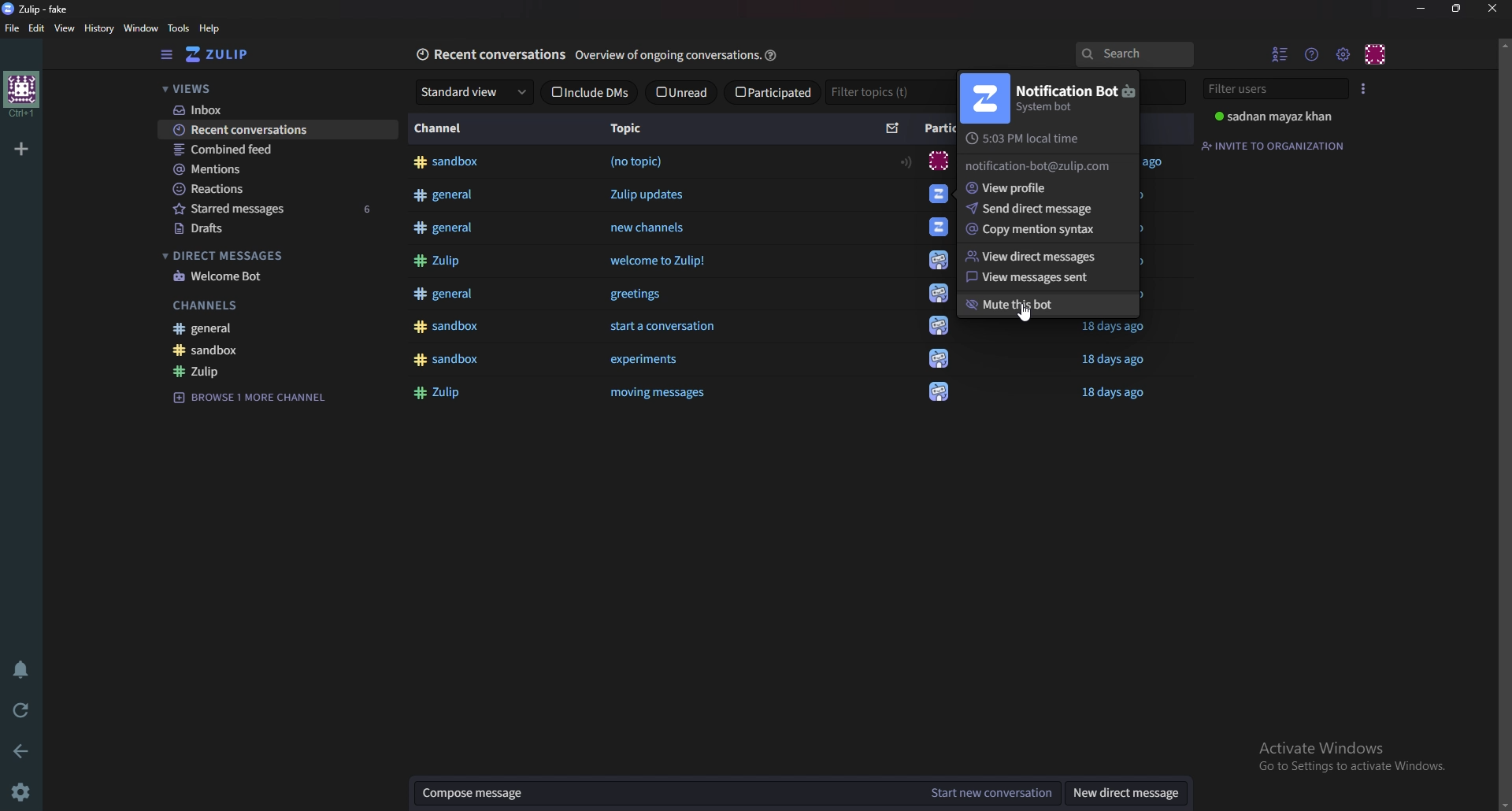 The image size is (1512, 811). Describe the element at coordinates (656, 194) in the screenshot. I see `Zulip updates` at that location.